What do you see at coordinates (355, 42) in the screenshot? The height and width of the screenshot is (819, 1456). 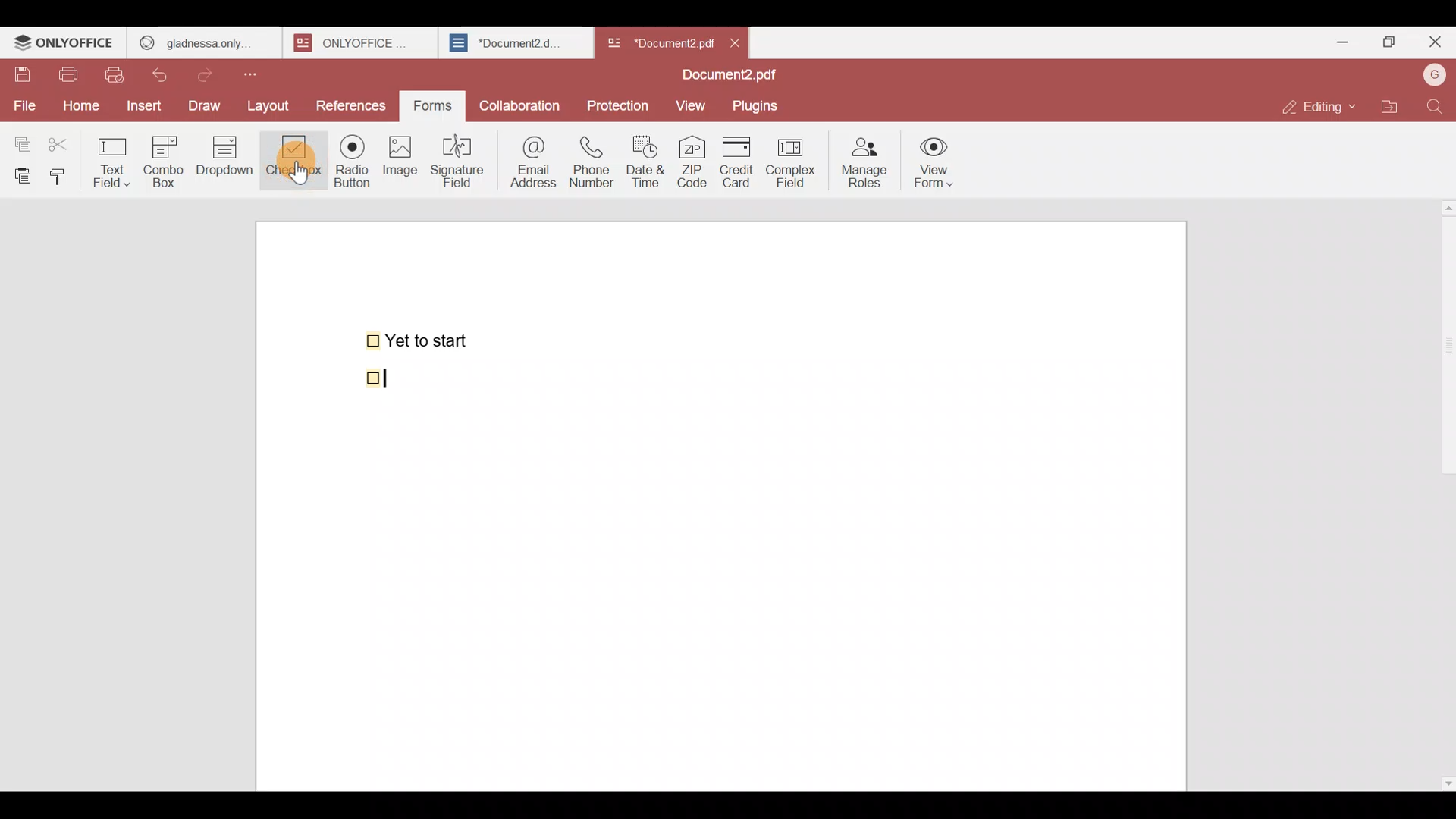 I see `onlyoffice` at bounding box center [355, 42].